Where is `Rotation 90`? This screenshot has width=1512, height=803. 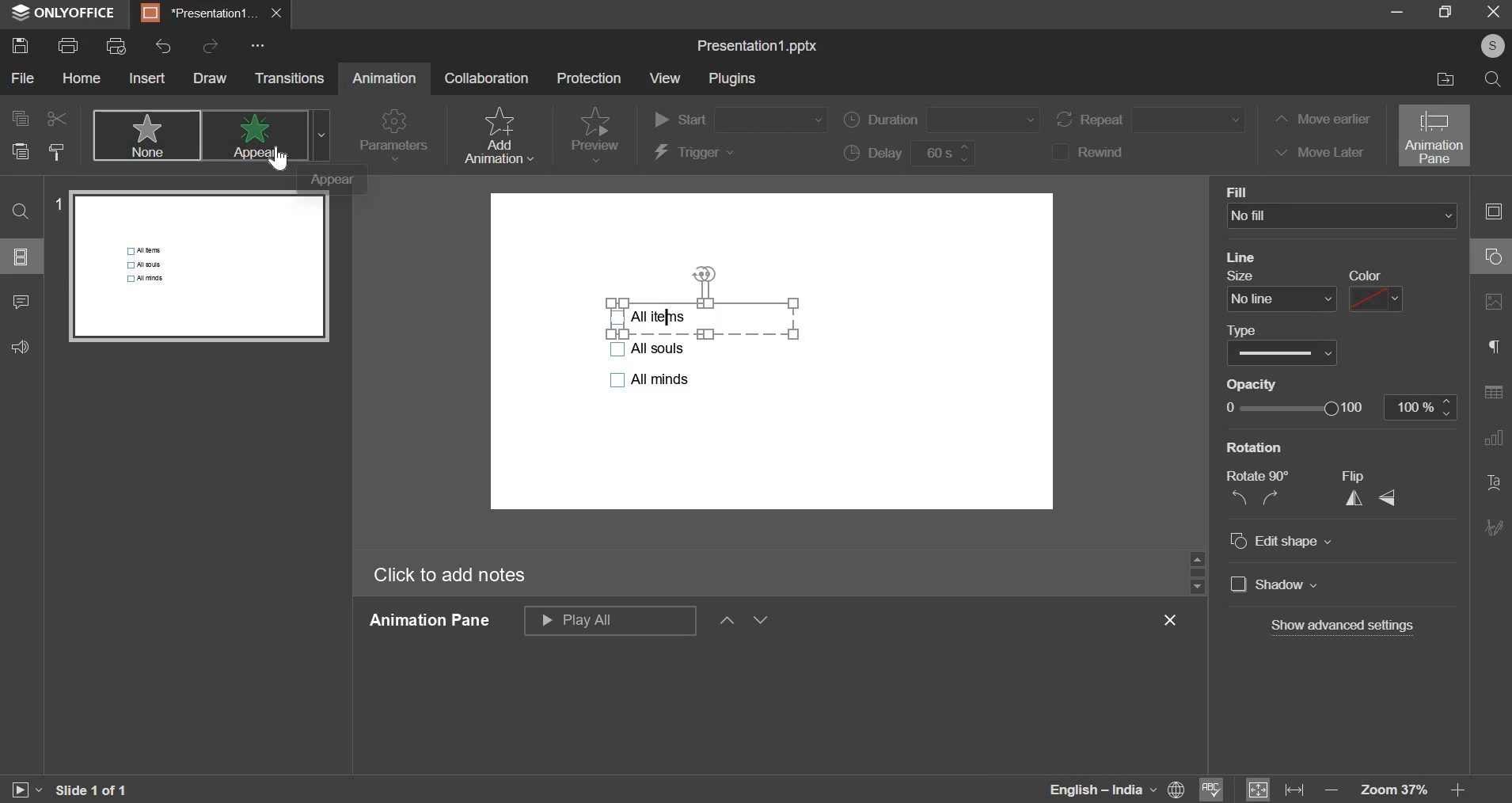
Rotation 90 is located at coordinates (1255, 497).